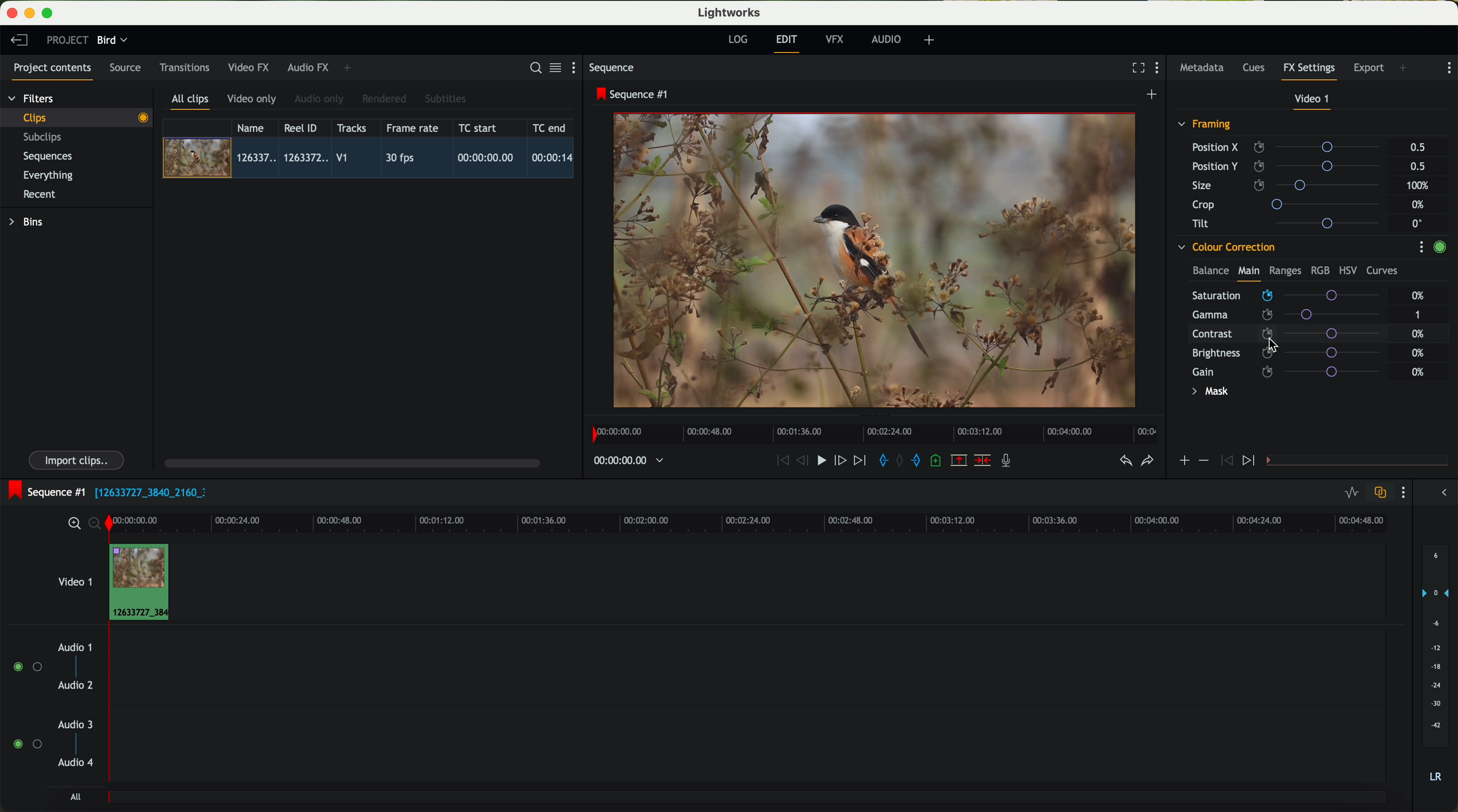 This screenshot has width=1458, height=812. What do you see at coordinates (49, 14) in the screenshot?
I see `maximize program` at bounding box center [49, 14].